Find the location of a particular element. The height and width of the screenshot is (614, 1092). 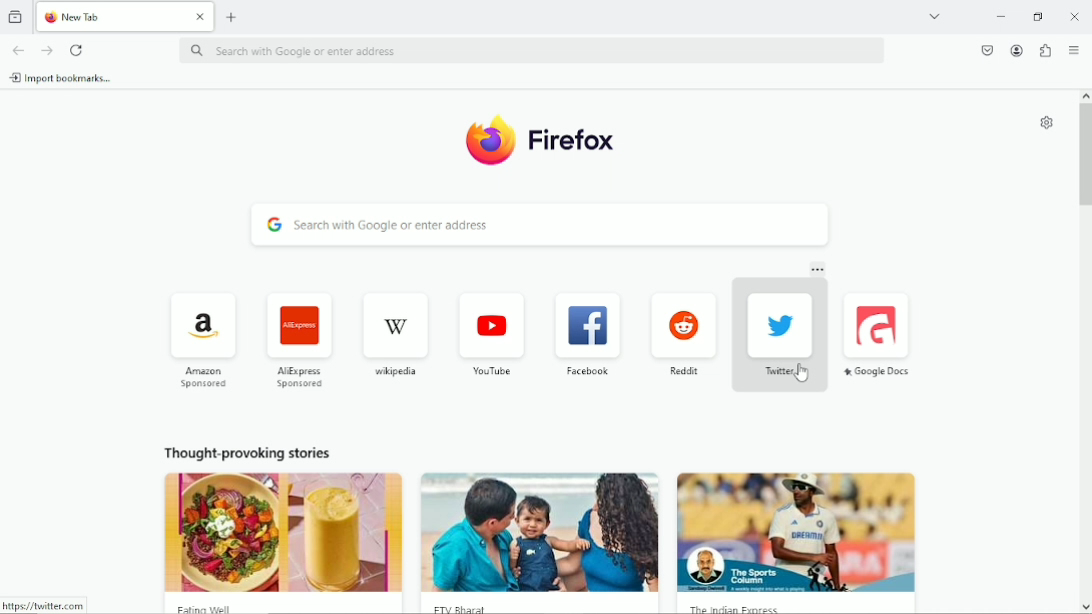

account is located at coordinates (1015, 50).